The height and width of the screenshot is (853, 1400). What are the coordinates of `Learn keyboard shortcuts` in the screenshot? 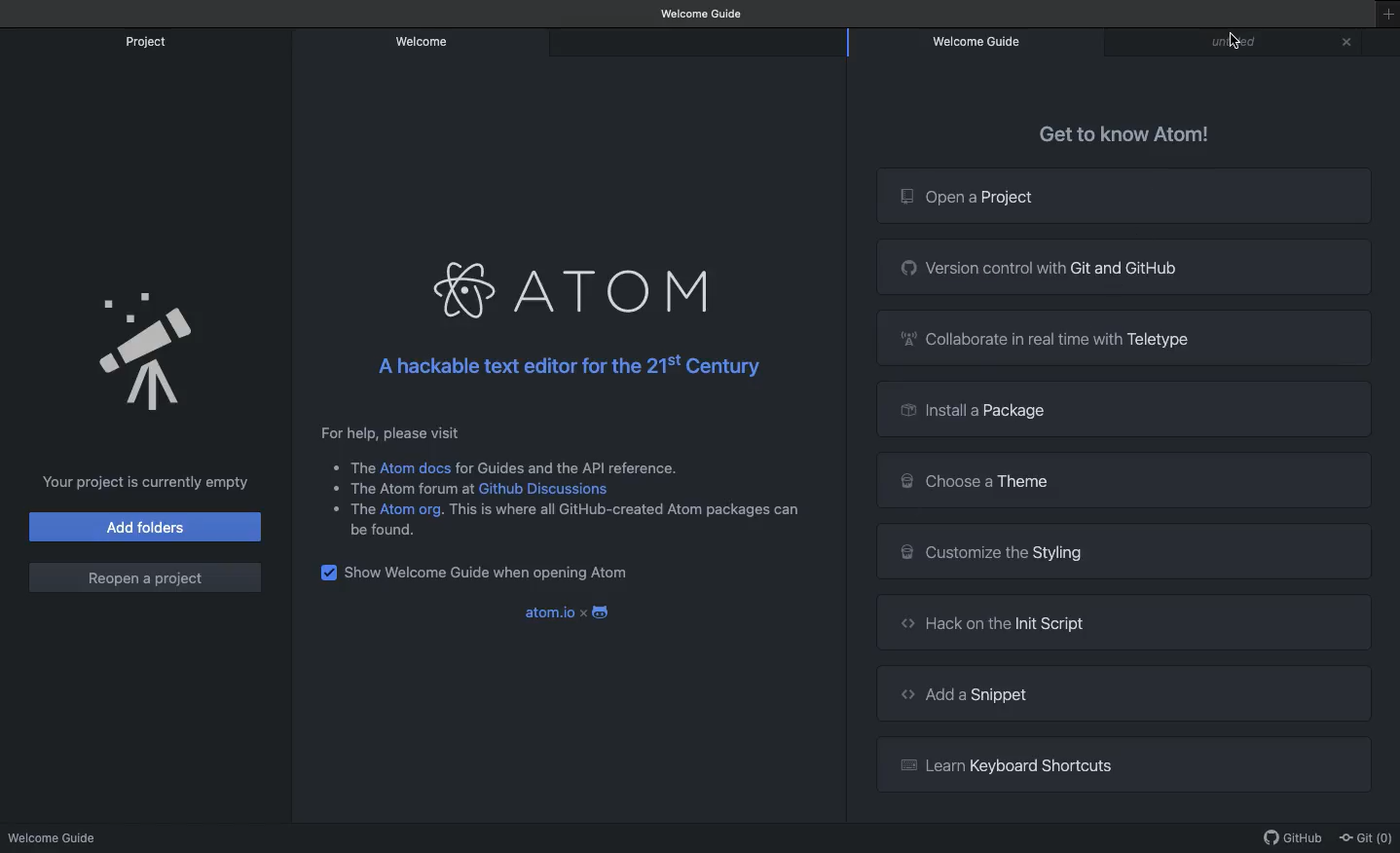 It's located at (1151, 766).